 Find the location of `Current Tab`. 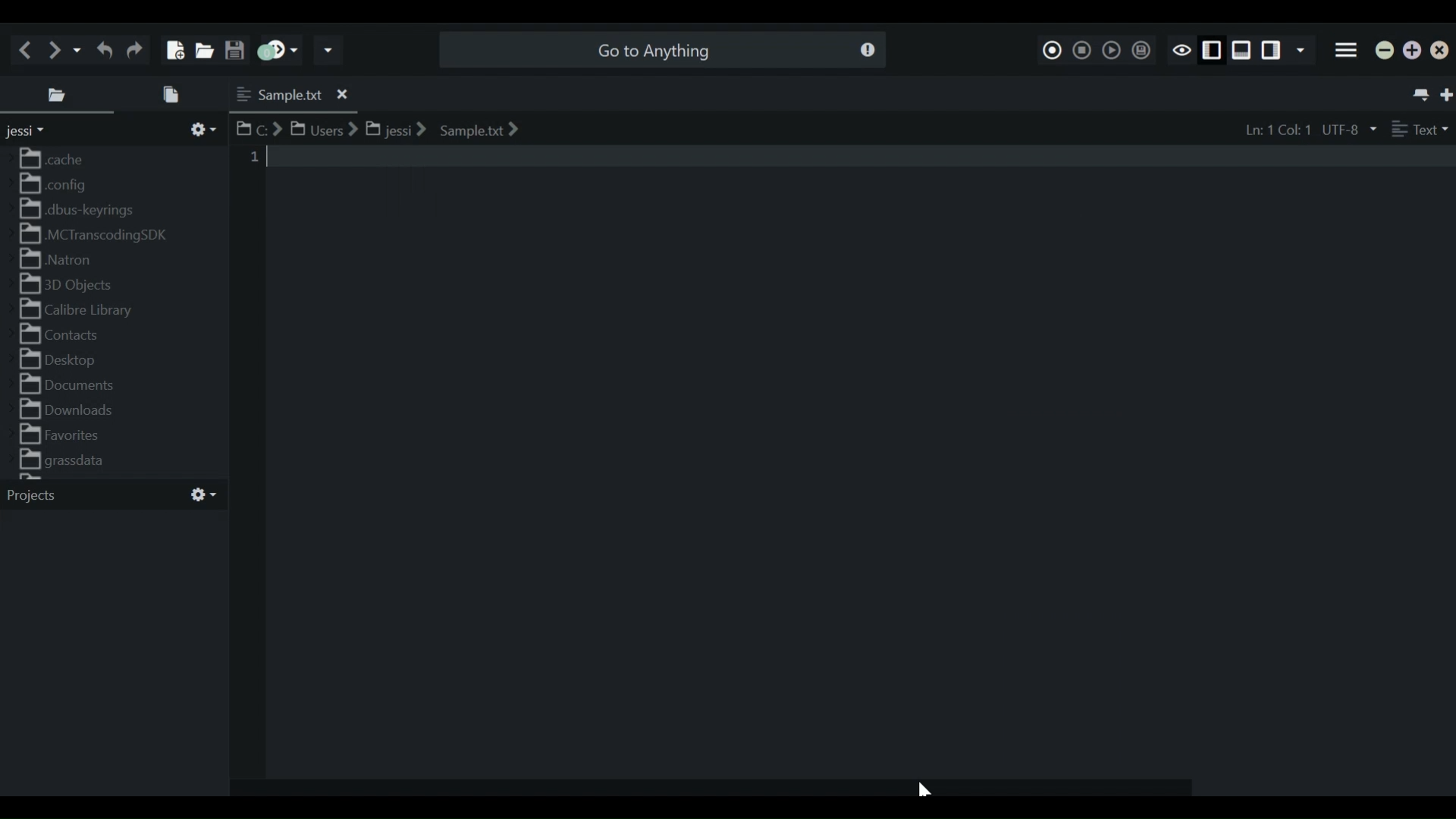

Current Tab is located at coordinates (290, 96).